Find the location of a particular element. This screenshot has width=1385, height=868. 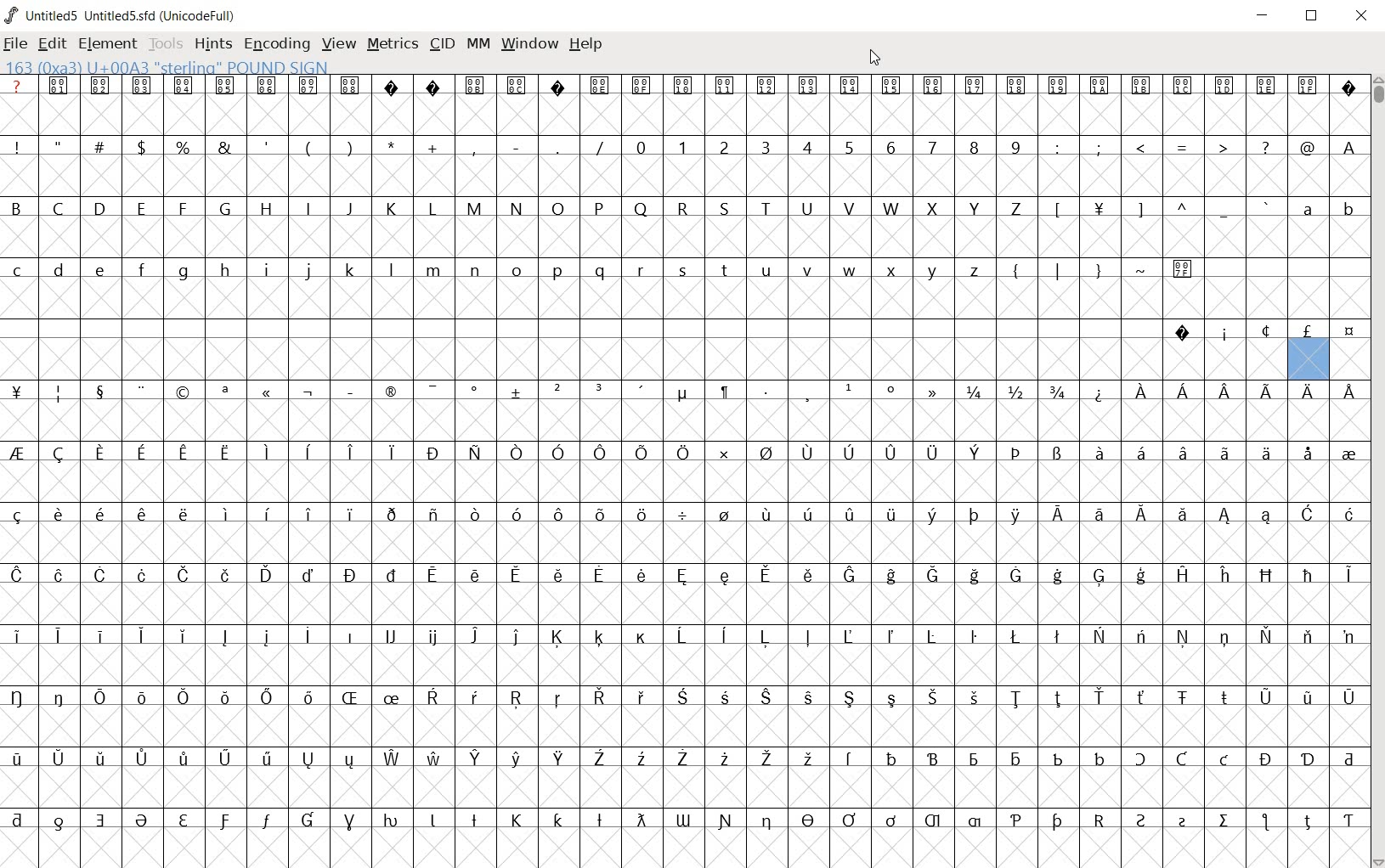

8 is located at coordinates (973, 148).